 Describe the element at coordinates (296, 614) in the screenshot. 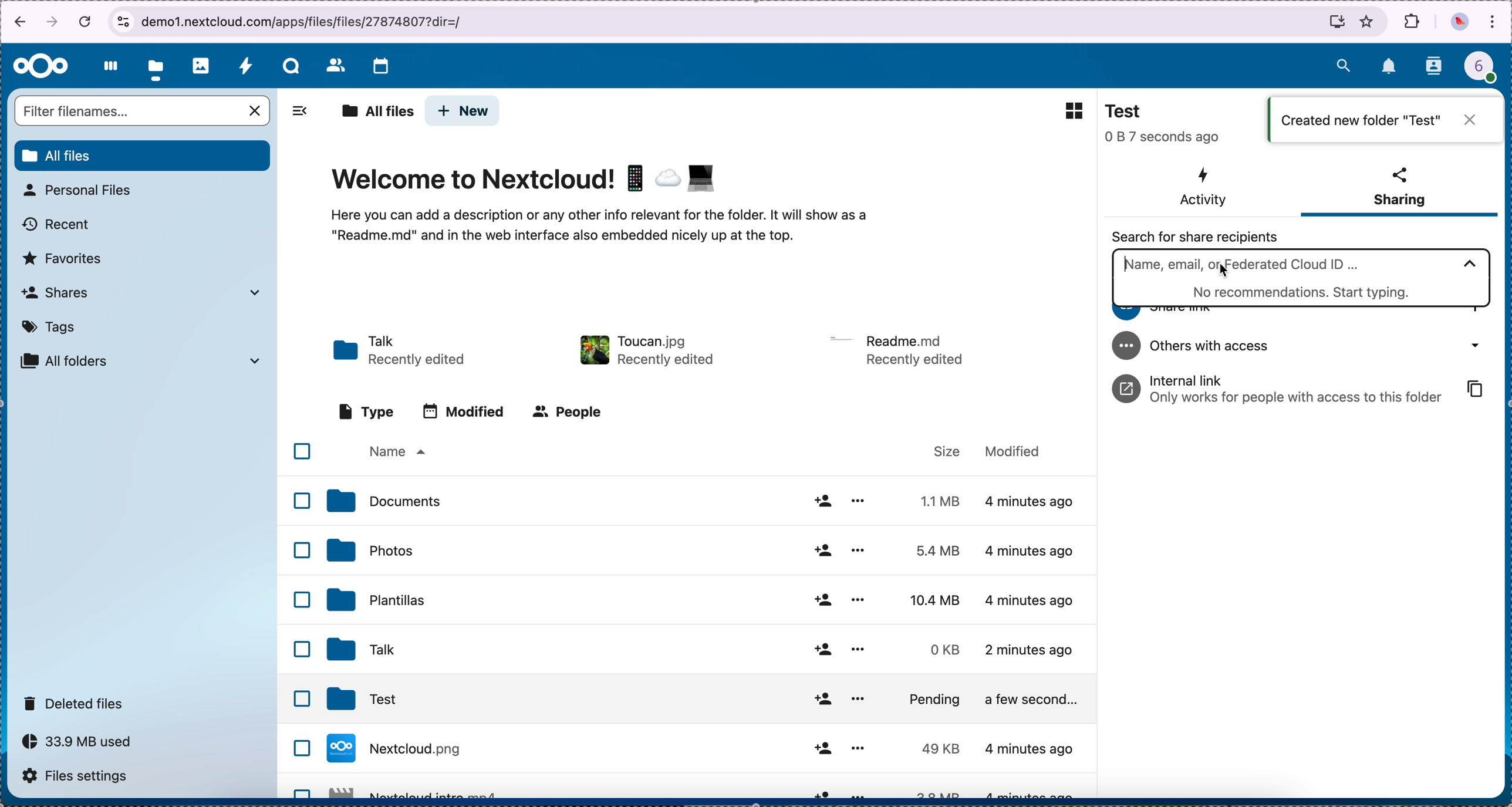

I see `checkboxes` at that location.